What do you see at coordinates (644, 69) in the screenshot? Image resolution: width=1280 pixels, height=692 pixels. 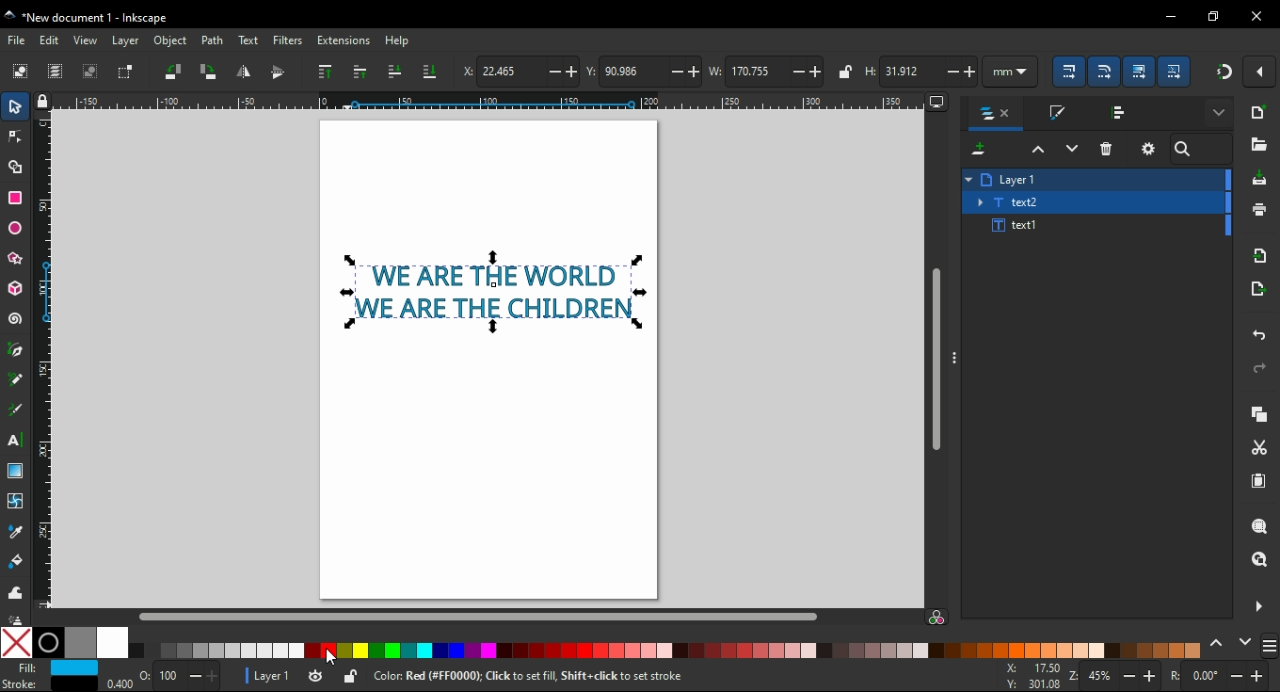 I see `vertical coordinates of selected object` at bounding box center [644, 69].